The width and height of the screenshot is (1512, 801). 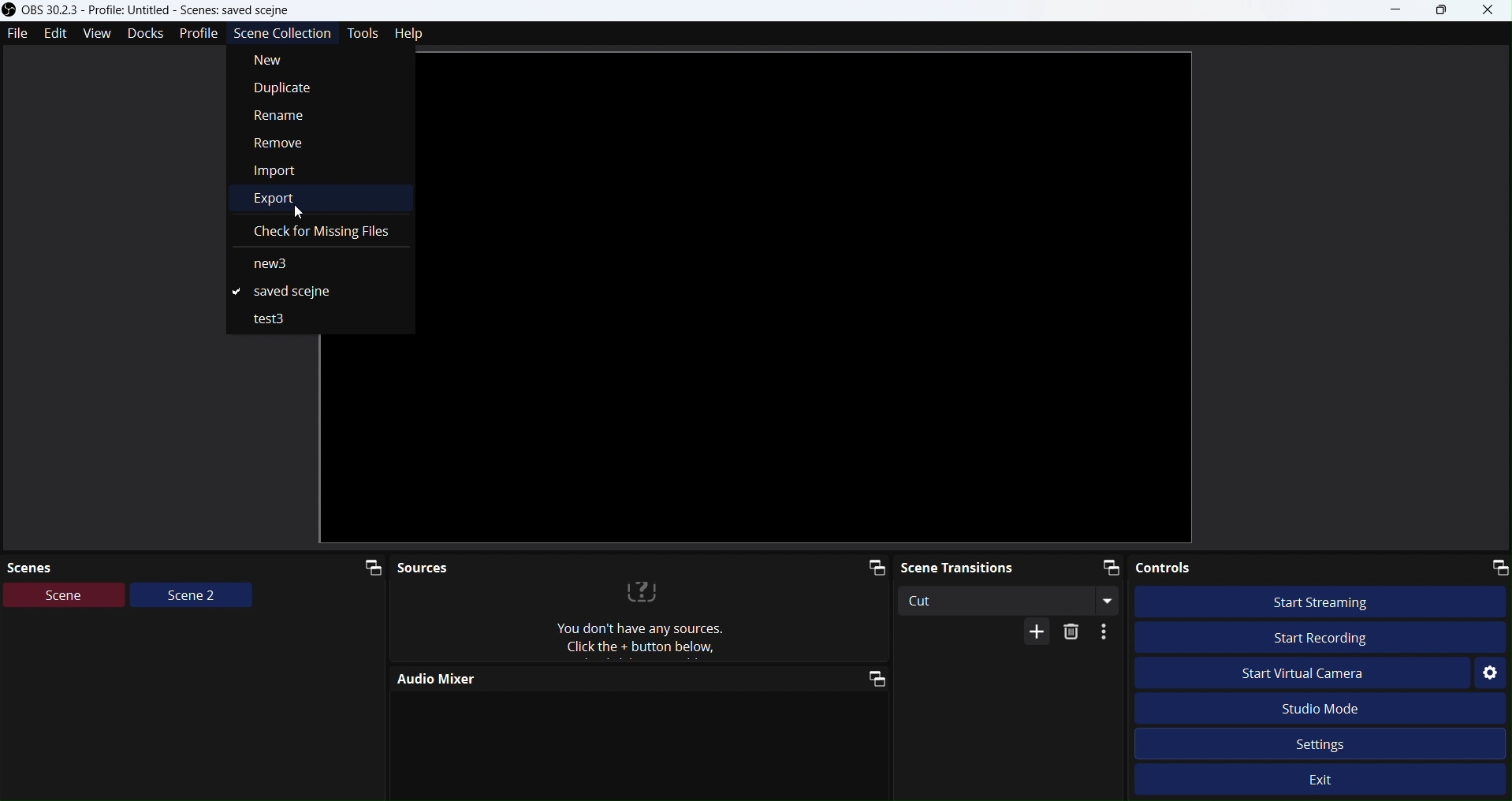 I want to click on new3, so click(x=265, y=263).